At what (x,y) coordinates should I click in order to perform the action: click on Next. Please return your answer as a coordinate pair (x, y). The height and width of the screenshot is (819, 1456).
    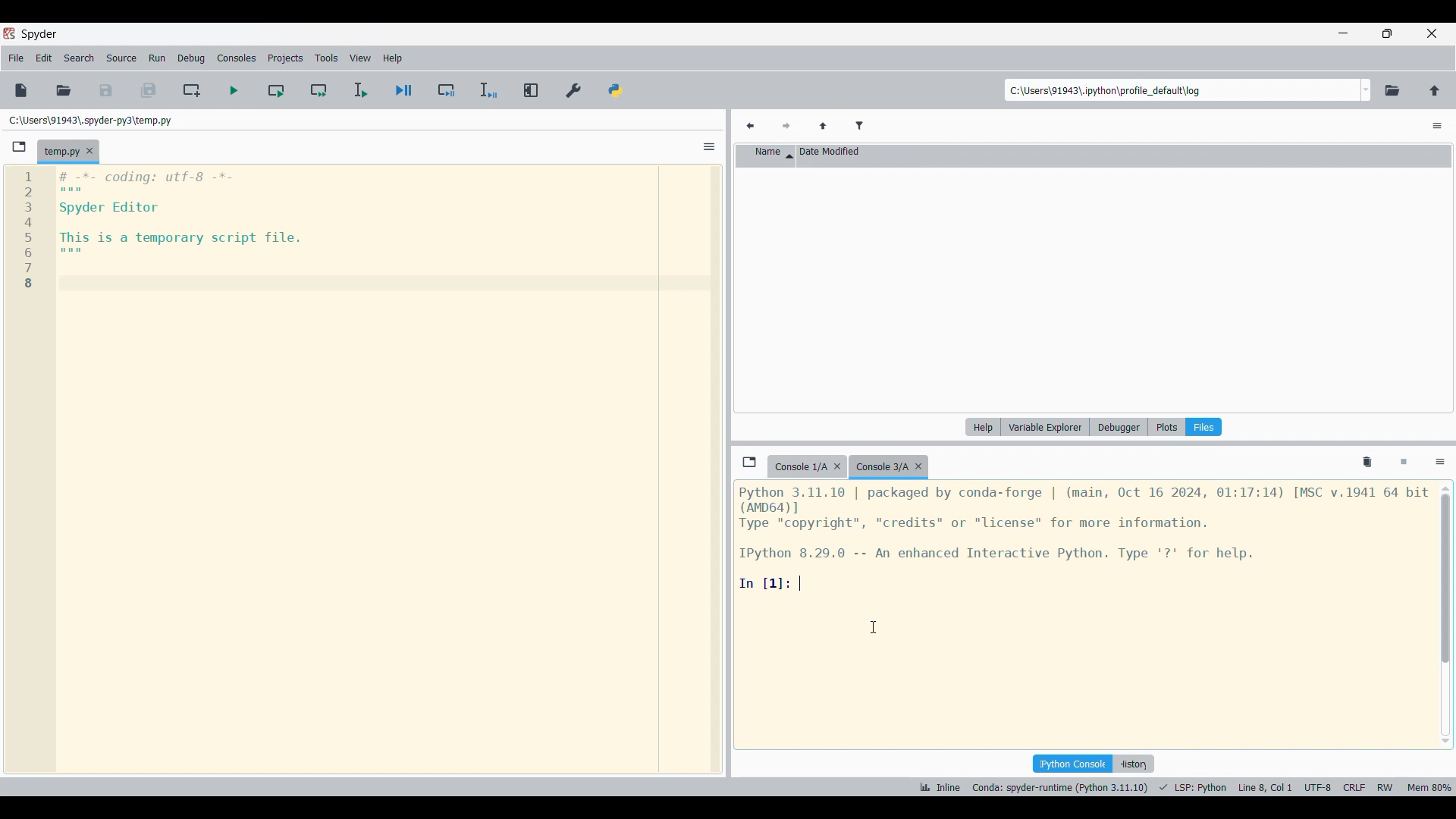
    Looking at the image, I should click on (786, 127).